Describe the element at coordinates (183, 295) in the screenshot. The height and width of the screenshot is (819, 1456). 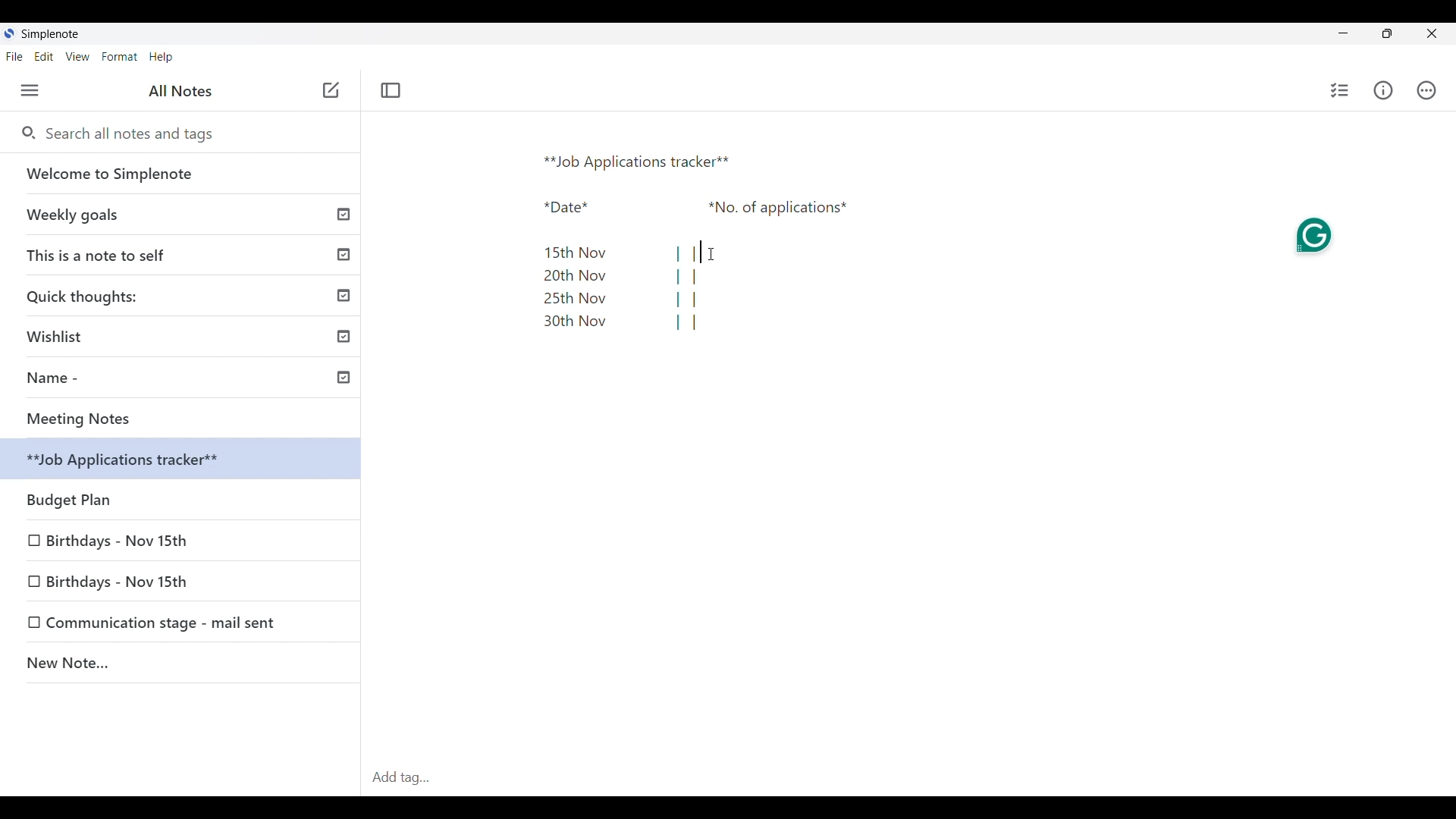
I see `Quick thoughts` at that location.